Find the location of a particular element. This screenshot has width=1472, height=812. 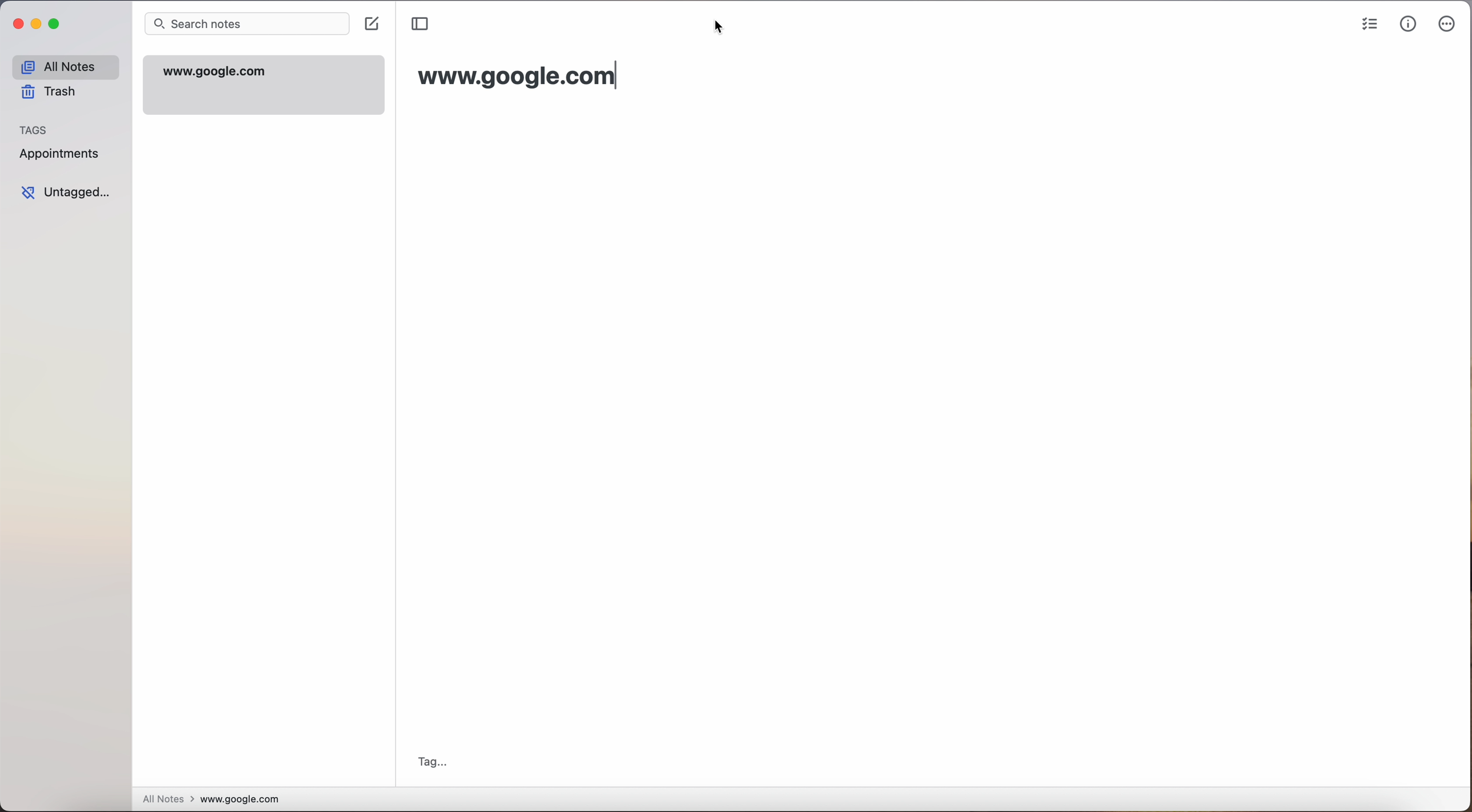

minimize app is located at coordinates (39, 26).